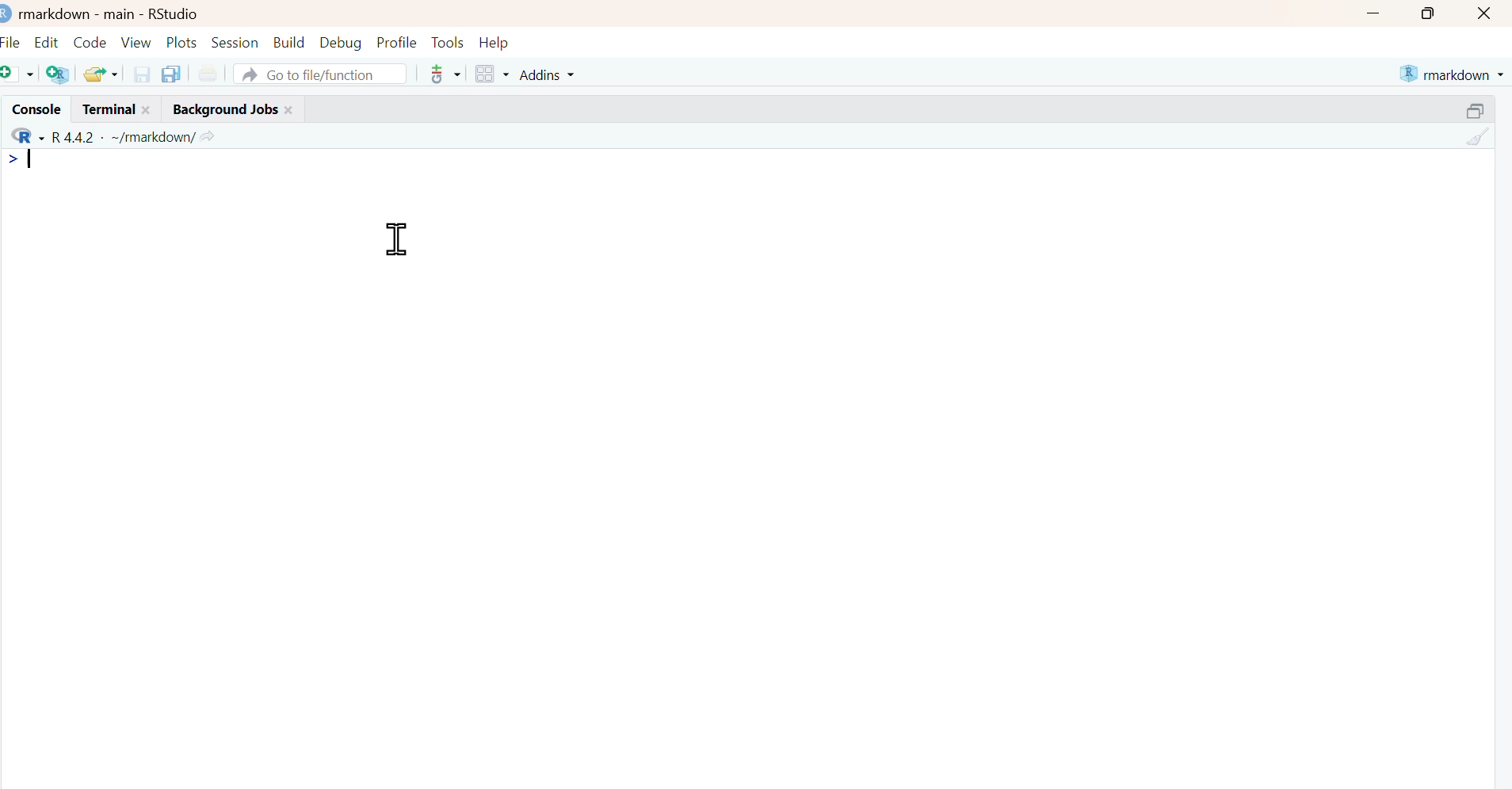  What do you see at coordinates (292, 108) in the screenshot?
I see `close` at bounding box center [292, 108].